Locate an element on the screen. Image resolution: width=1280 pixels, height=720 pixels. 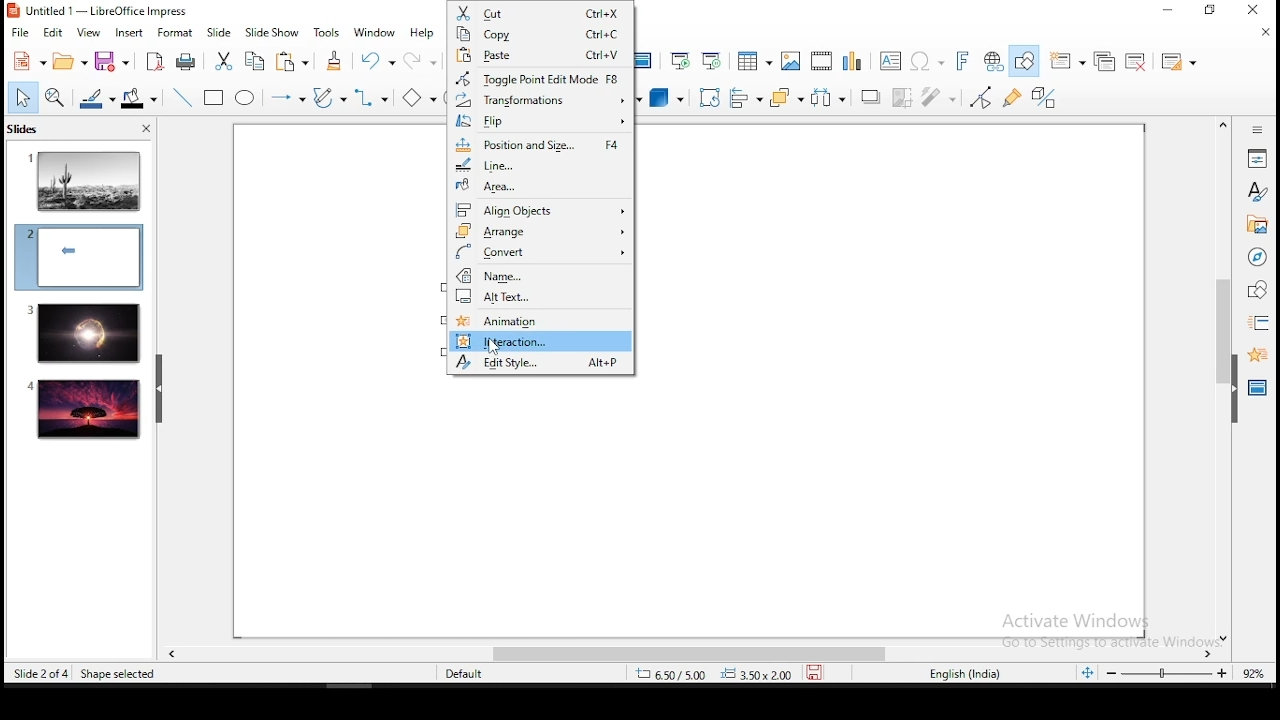
save is located at coordinates (819, 673).